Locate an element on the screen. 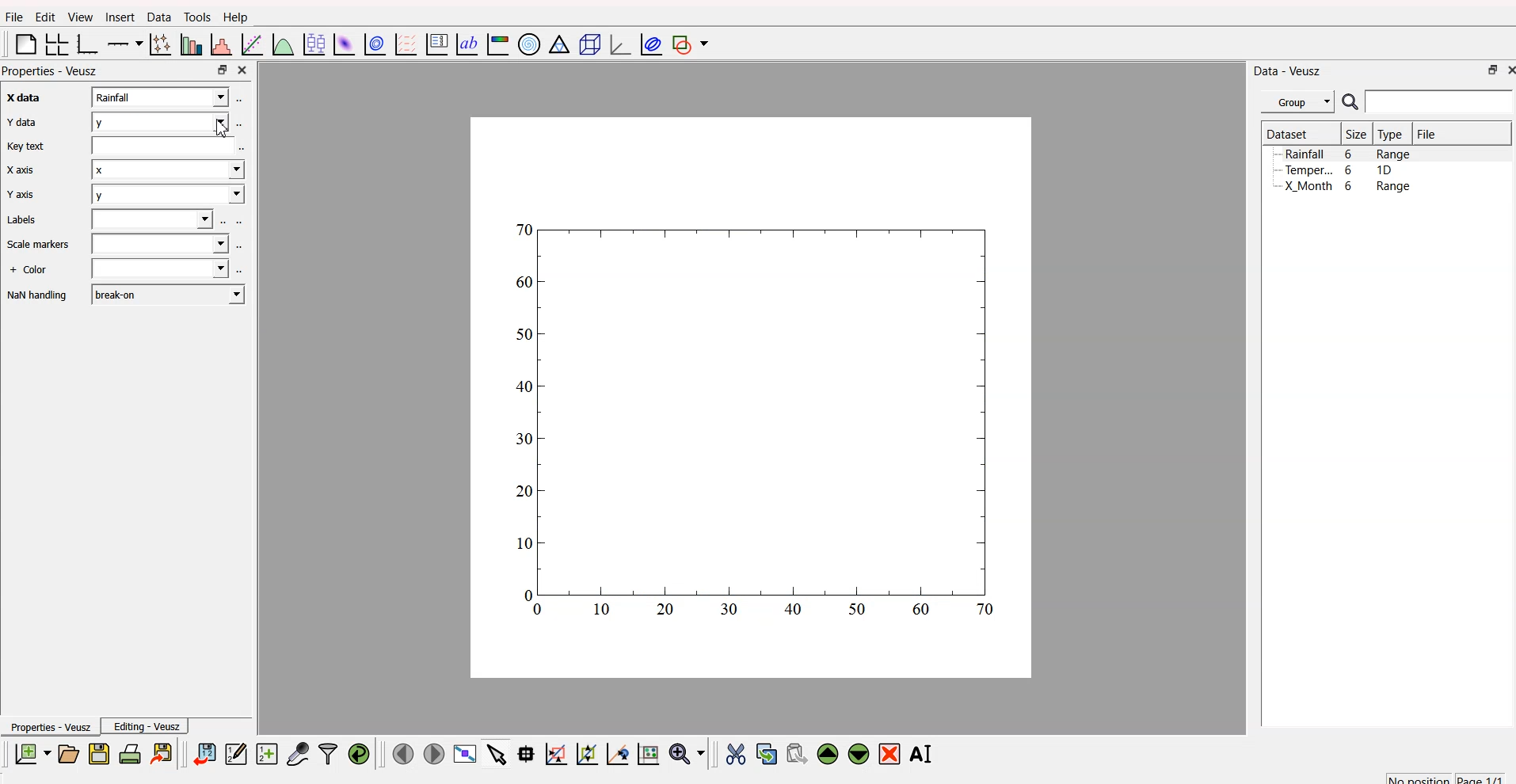 Image resolution: width=1516 pixels, height=784 pixels. plot on axis is located at coordinates (126, 43).